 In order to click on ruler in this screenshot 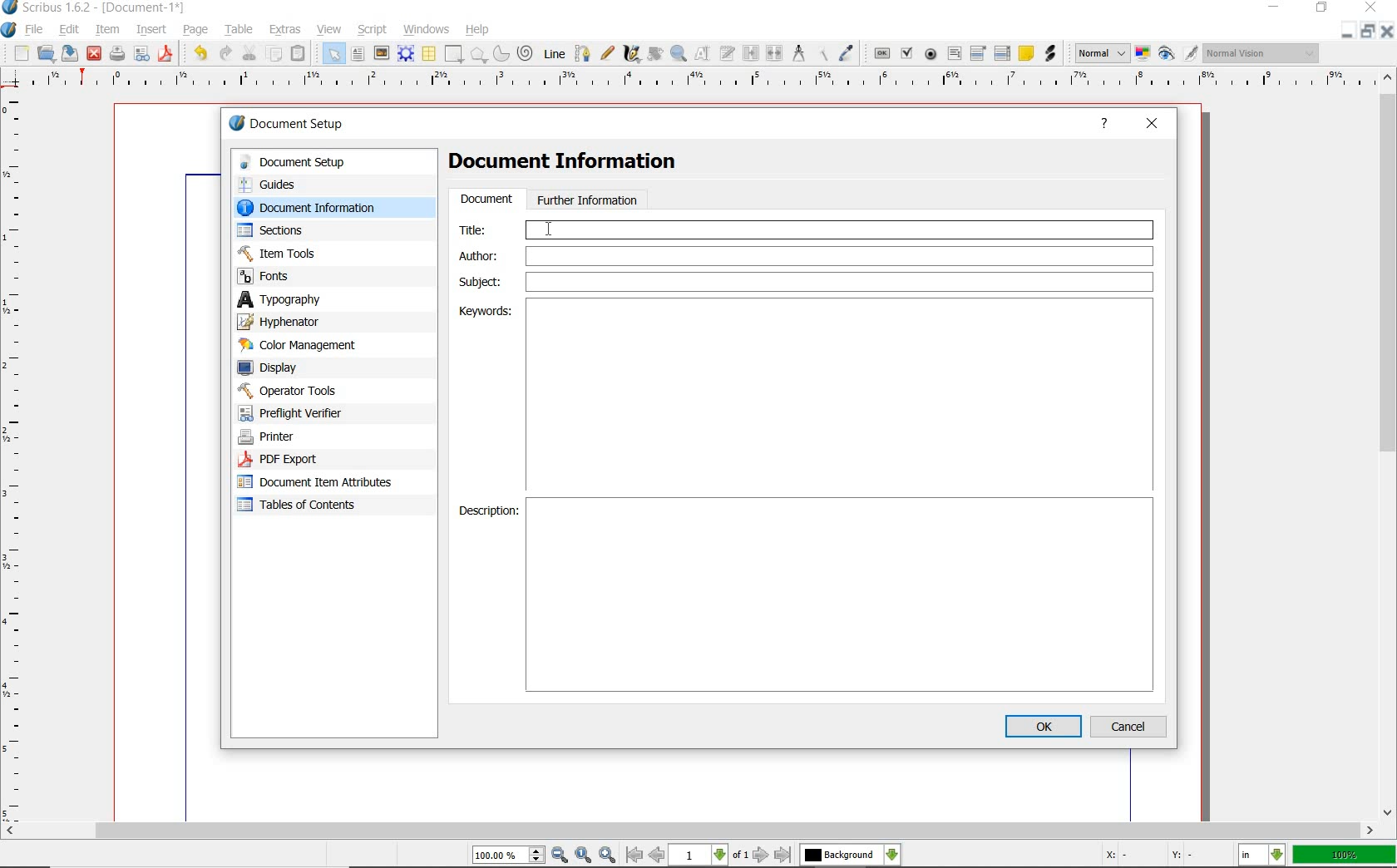, I will do `click(705, 83)`.